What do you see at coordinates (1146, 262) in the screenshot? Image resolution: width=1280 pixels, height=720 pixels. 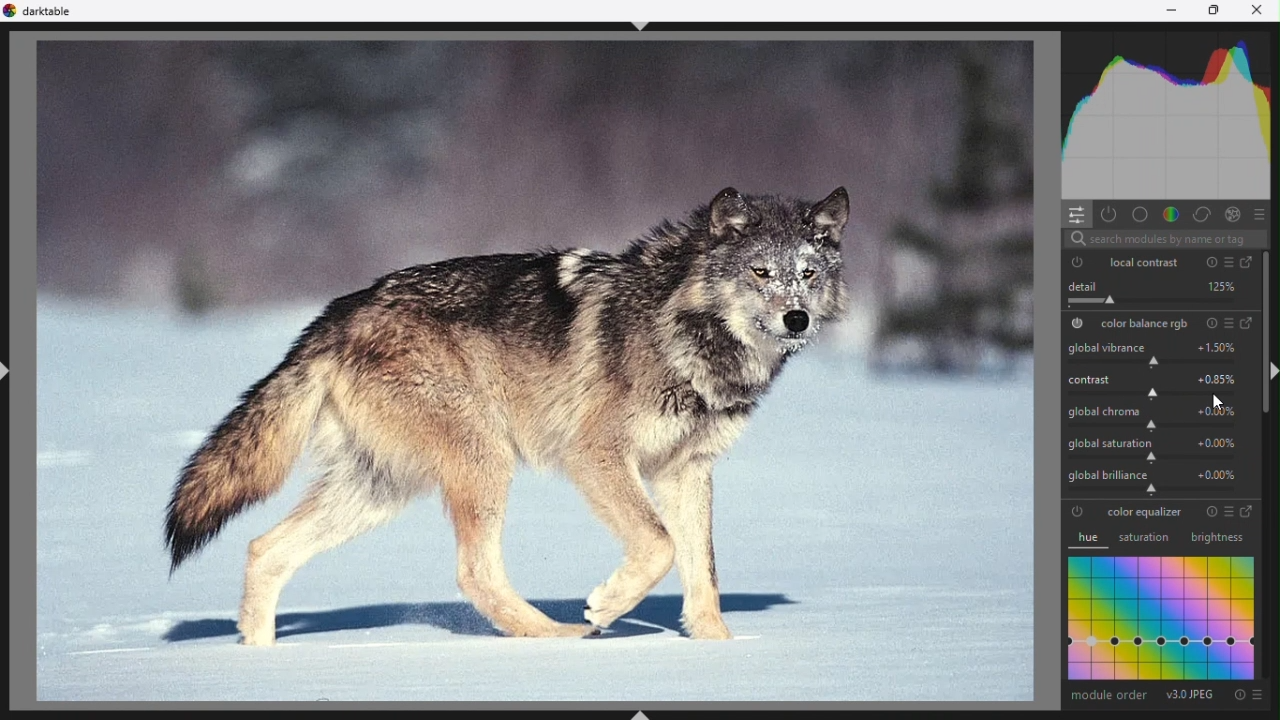 I see `local contrast` at bounding box center [1146, 262].